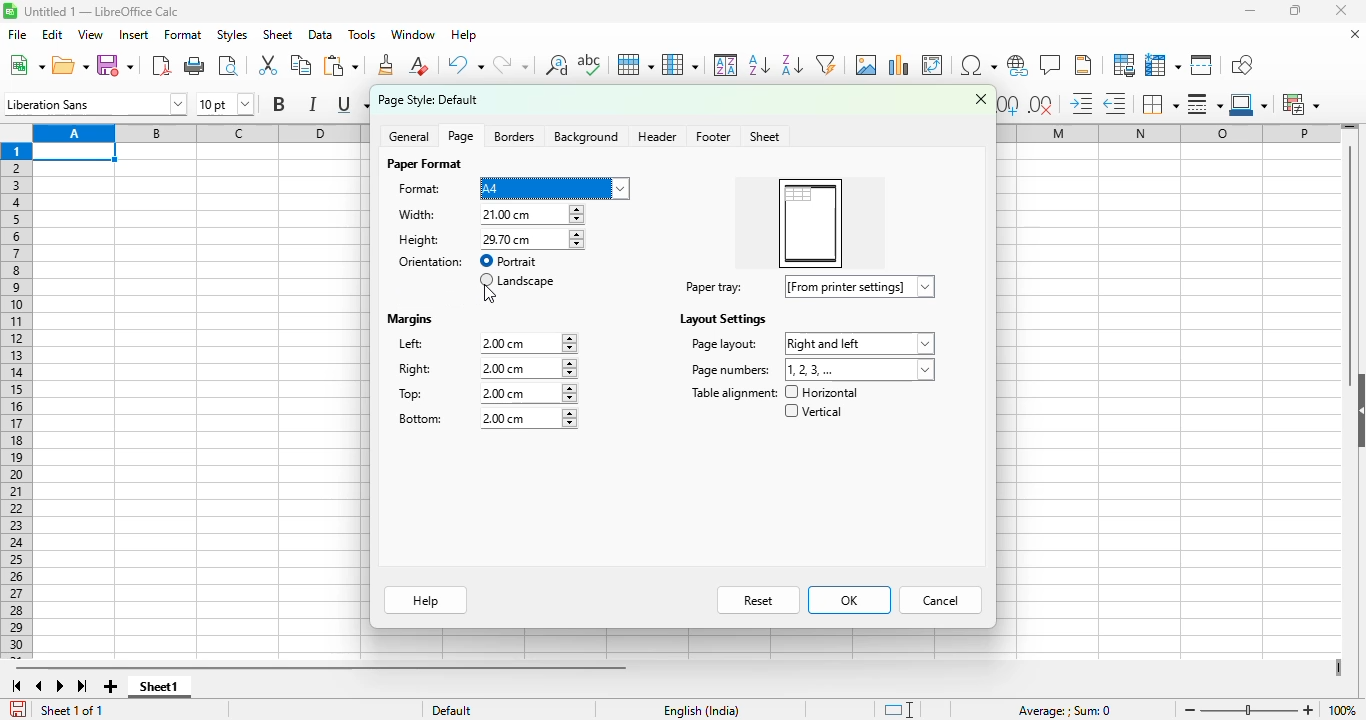 The width and height of the screenshot is (1366, 720). I want to click on A4, so click(554, 189).